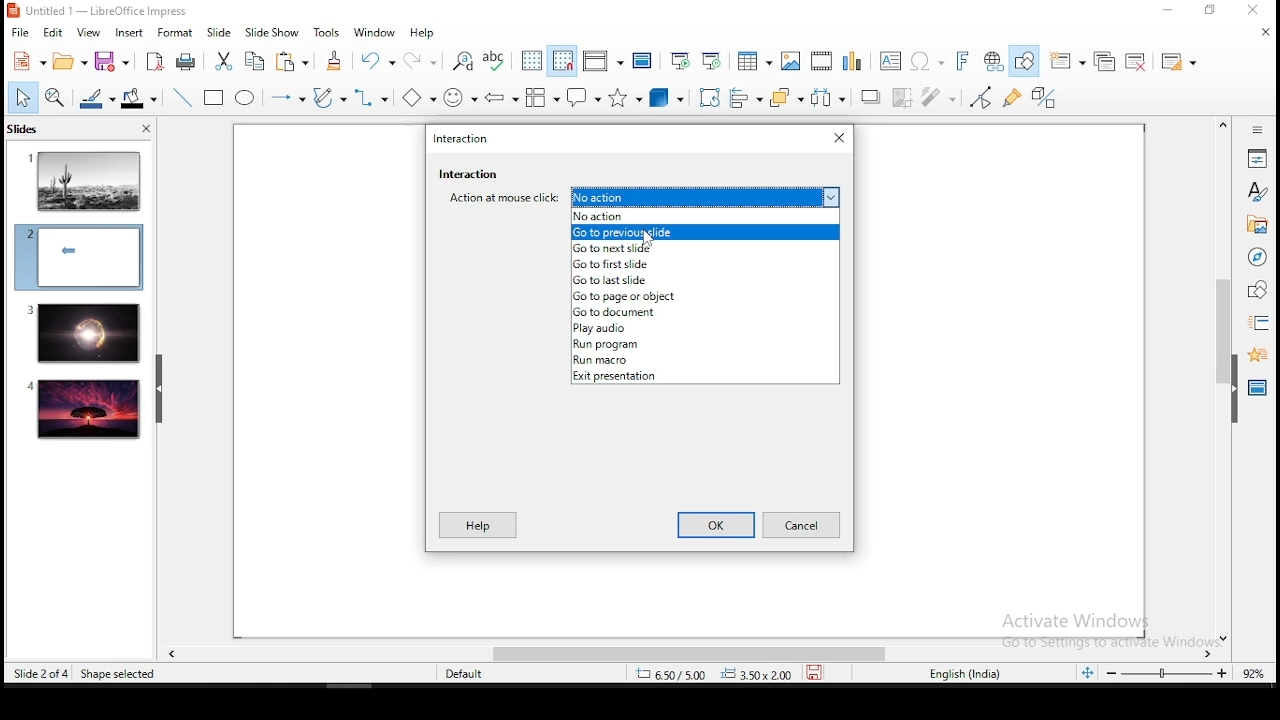  Describe the element at coordinates (716, 525) in the screenshot. I see `ok` at that location.